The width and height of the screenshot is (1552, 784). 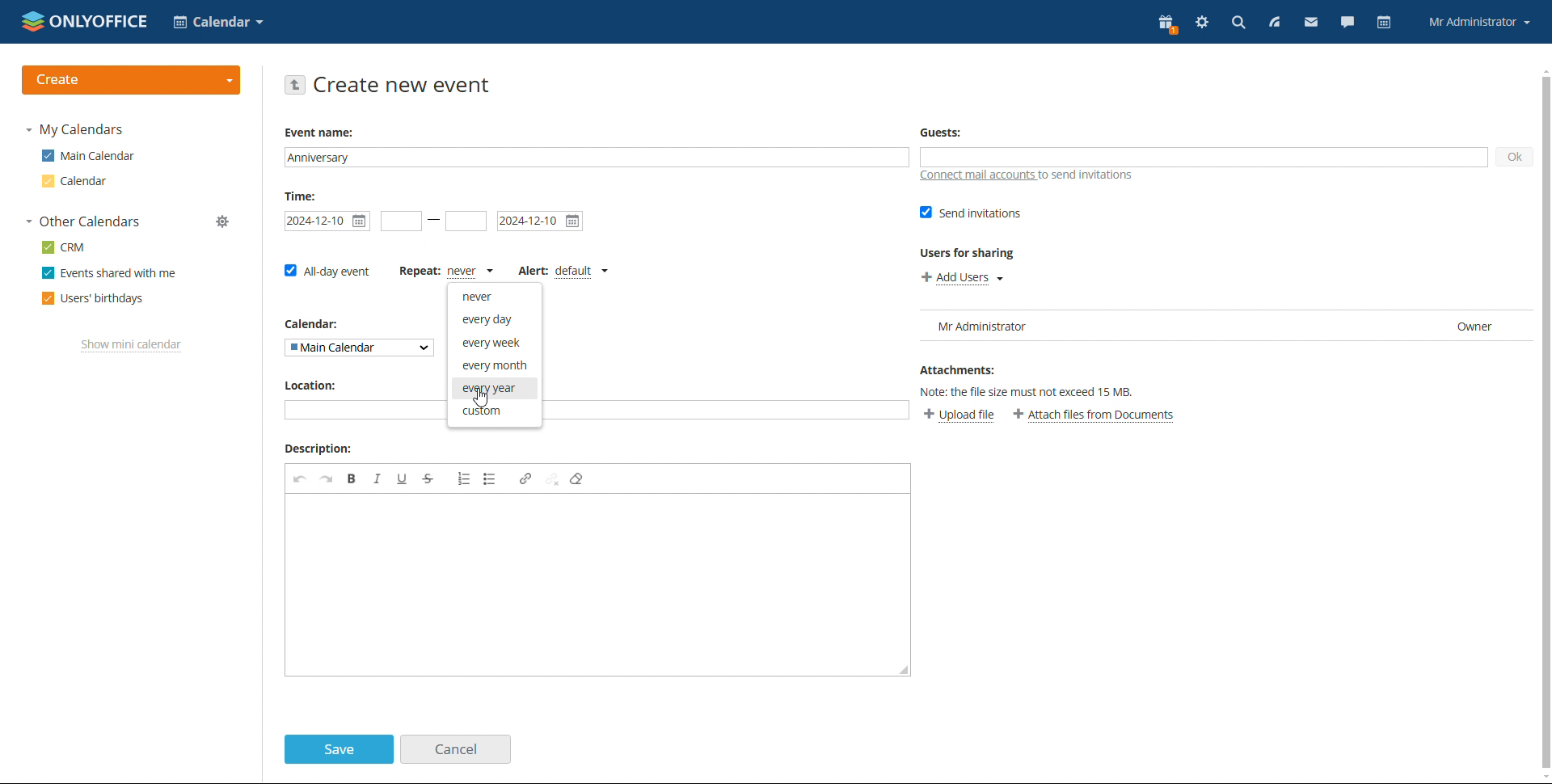 What do you see at coordinates (492, 344) in the screenshot?
I see `every week` at bounding box center [492, 344].